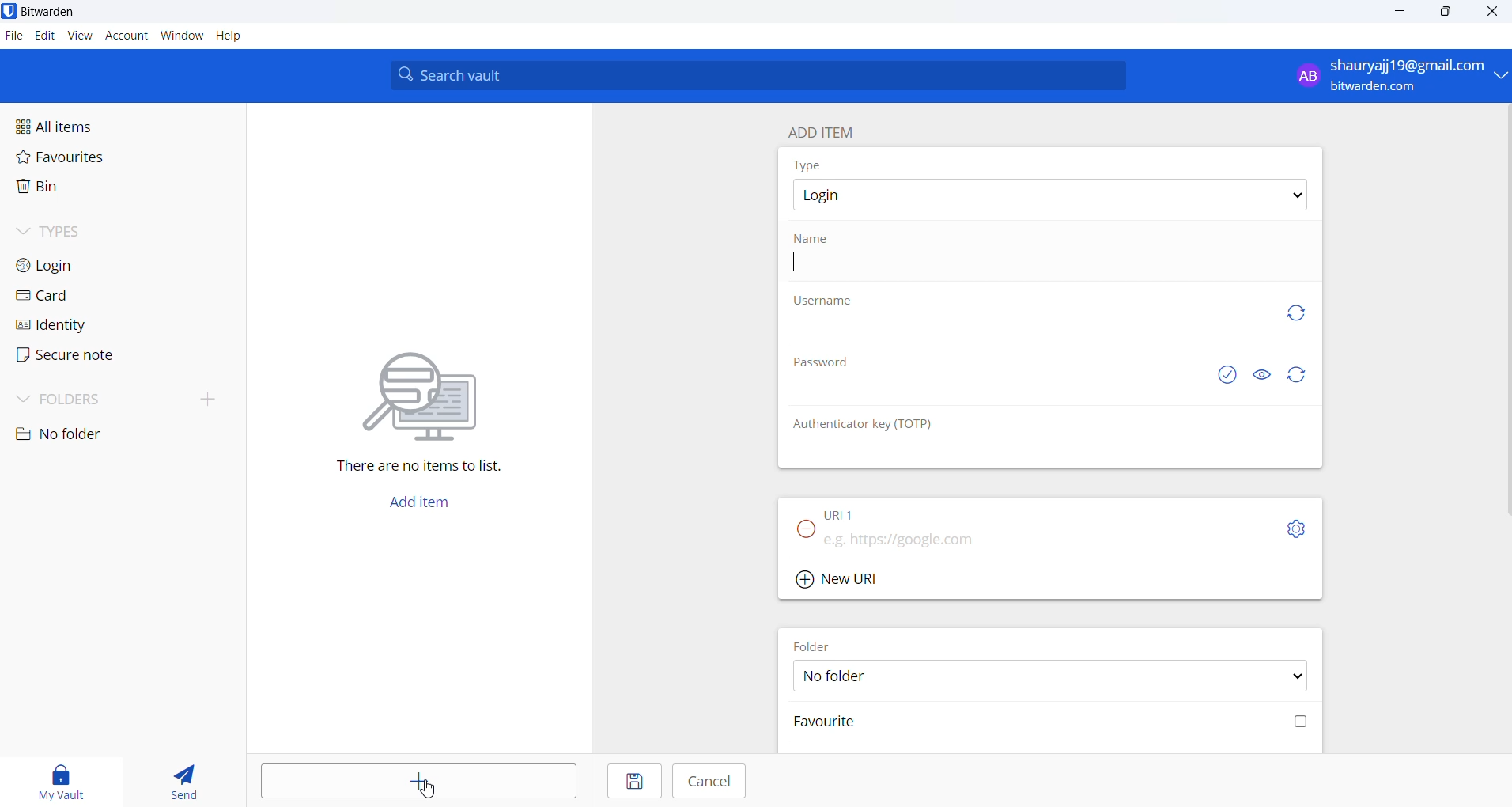 The image size is (1512, 807). I want to click on Favorites, so click(96, 161).